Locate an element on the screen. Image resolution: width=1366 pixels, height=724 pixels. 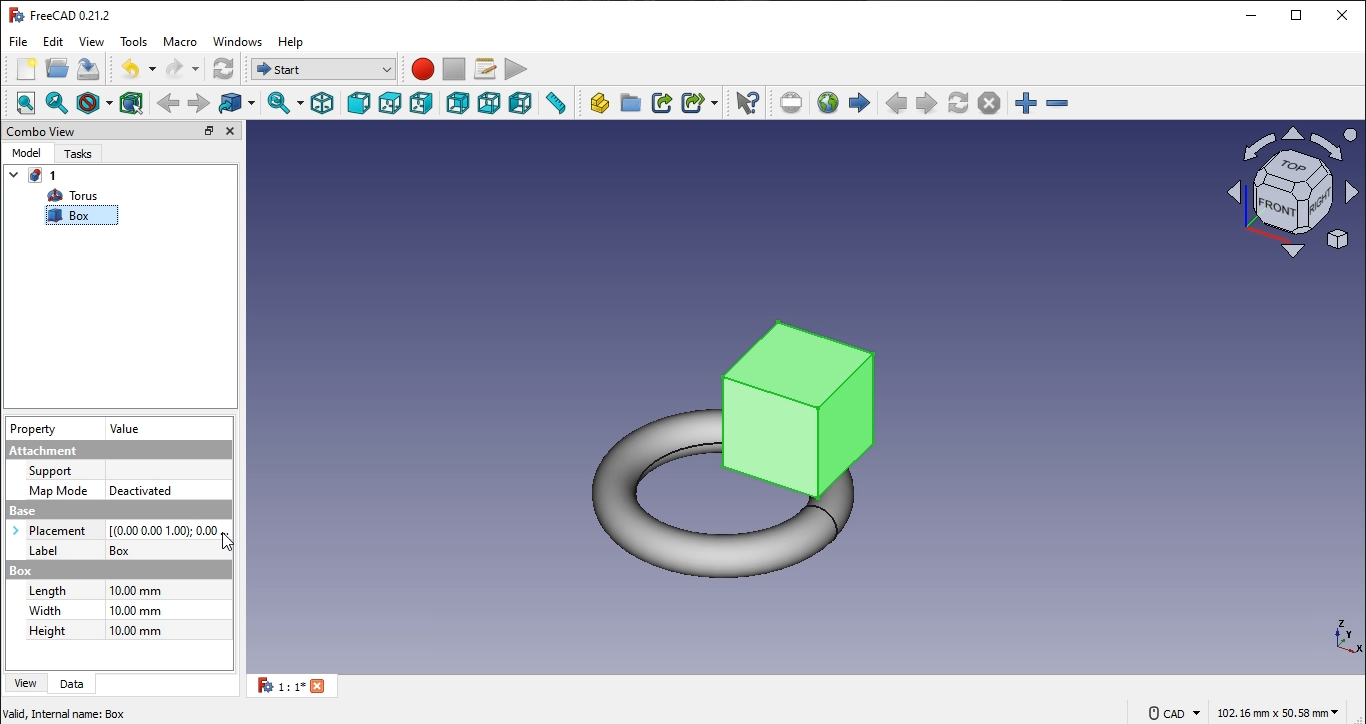
workbench is located at coordinates (320, 67).